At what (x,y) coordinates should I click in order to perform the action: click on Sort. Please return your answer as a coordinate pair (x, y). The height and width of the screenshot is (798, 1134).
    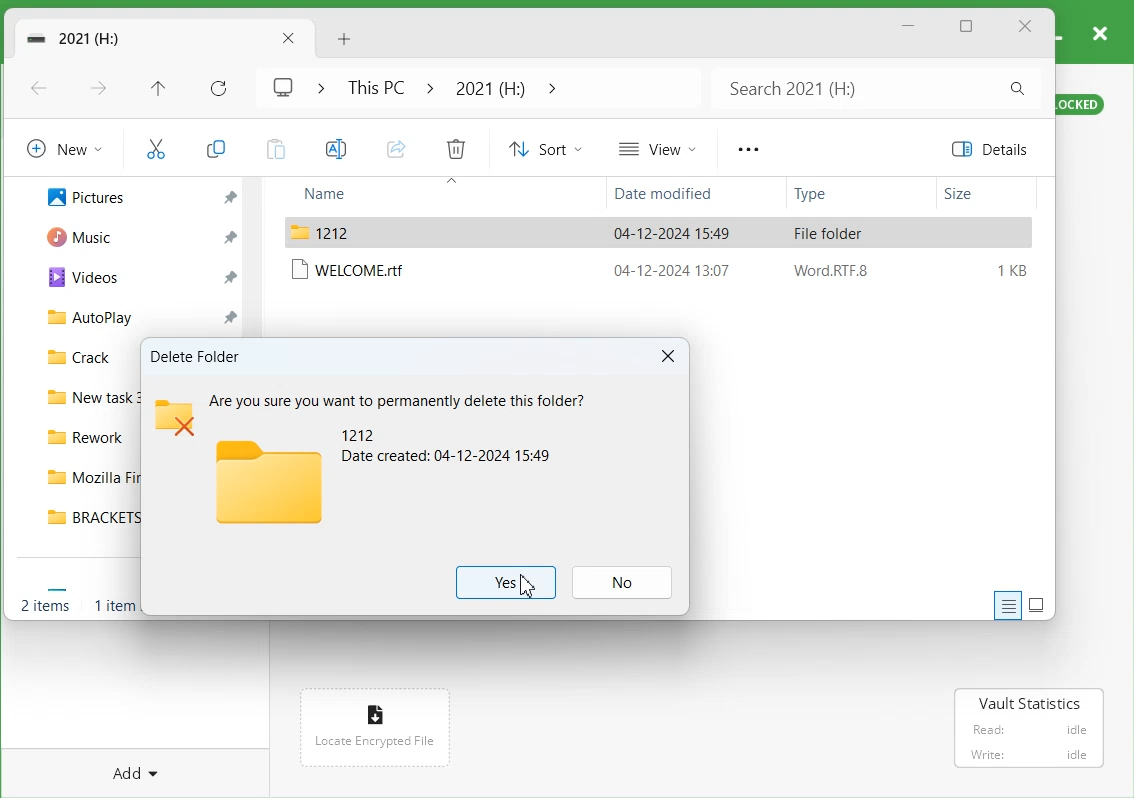
    Looking at the image, I should click on (545, 148).